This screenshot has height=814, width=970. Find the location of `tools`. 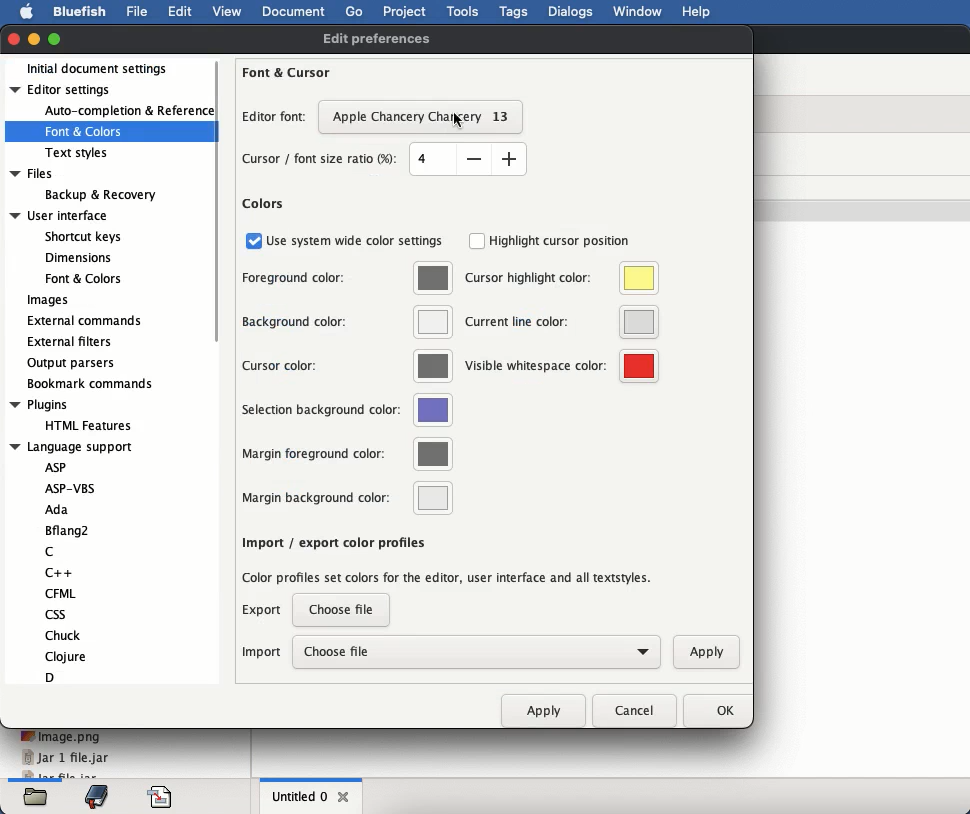

tools is located at coordinates (464, 12).